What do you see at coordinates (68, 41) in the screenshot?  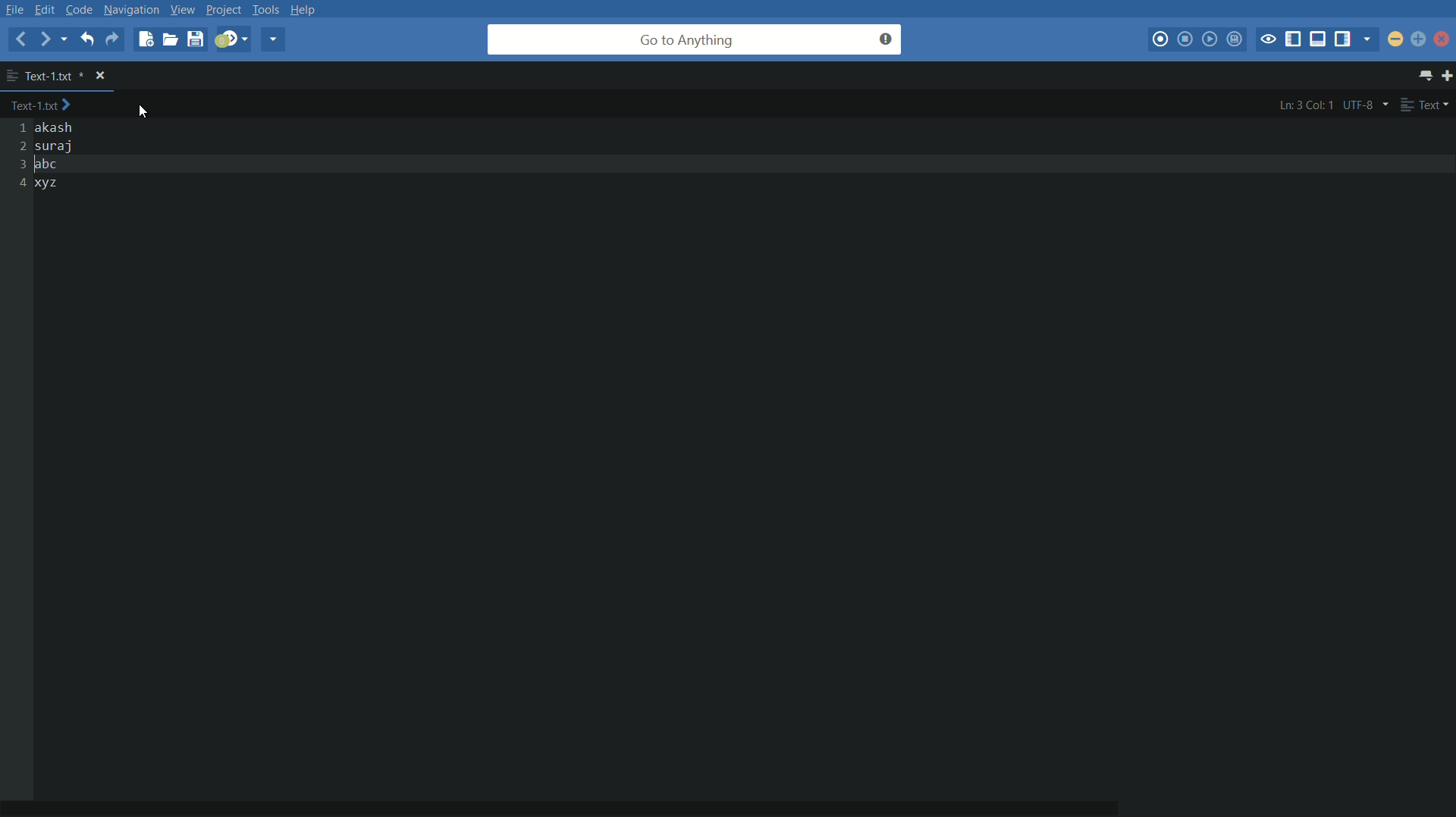 I see `recent locations` at bounding box center [68, 41].